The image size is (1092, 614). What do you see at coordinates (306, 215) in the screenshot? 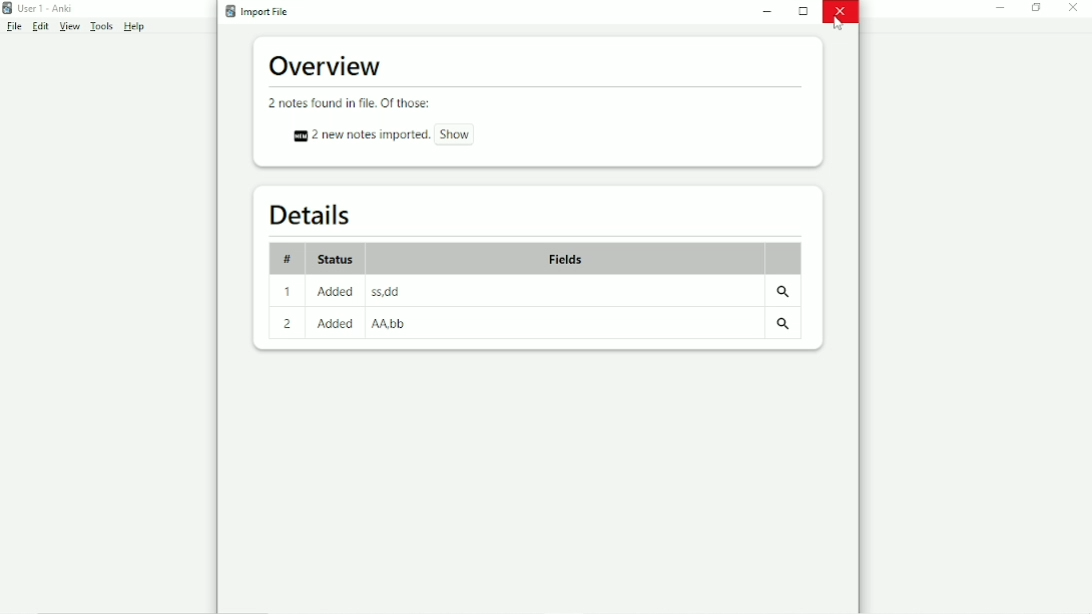
I see `Details` at bounding box center [306, 215].